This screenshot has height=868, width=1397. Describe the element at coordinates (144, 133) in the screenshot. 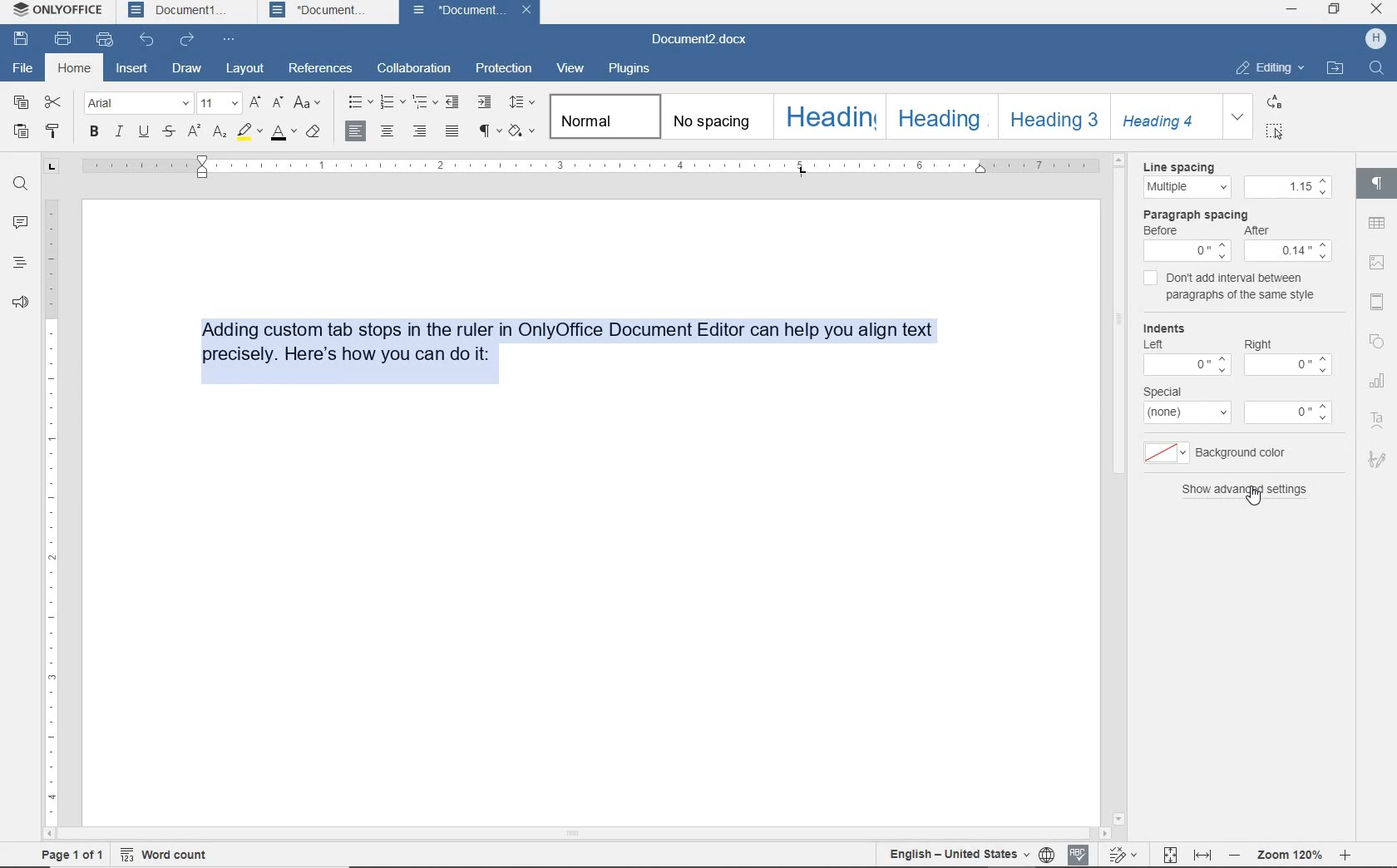

I see `underline` at that location.